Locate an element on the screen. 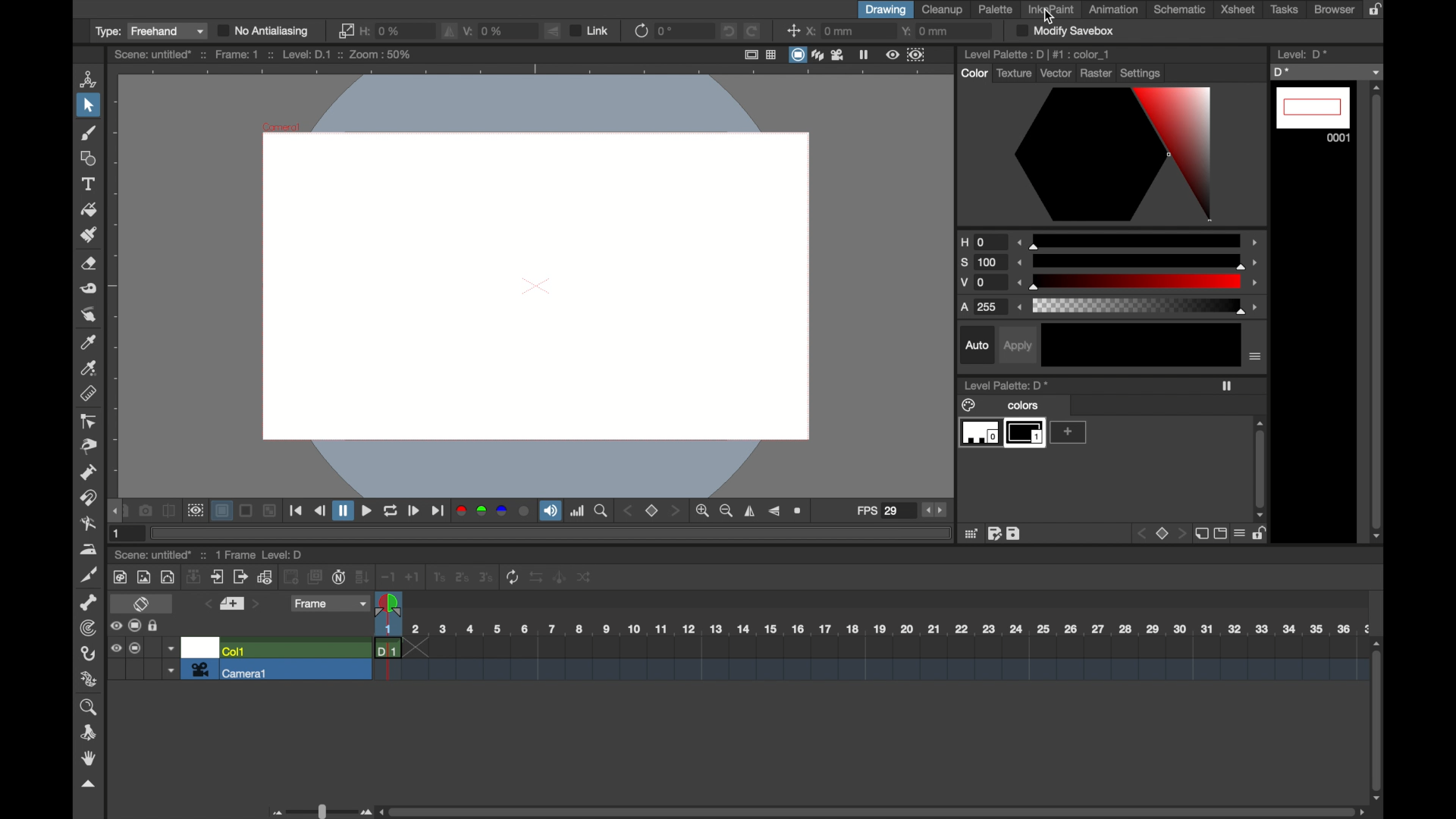 This screenshot has width=1456, height=819. canvas is located at coordinates (531, 283).